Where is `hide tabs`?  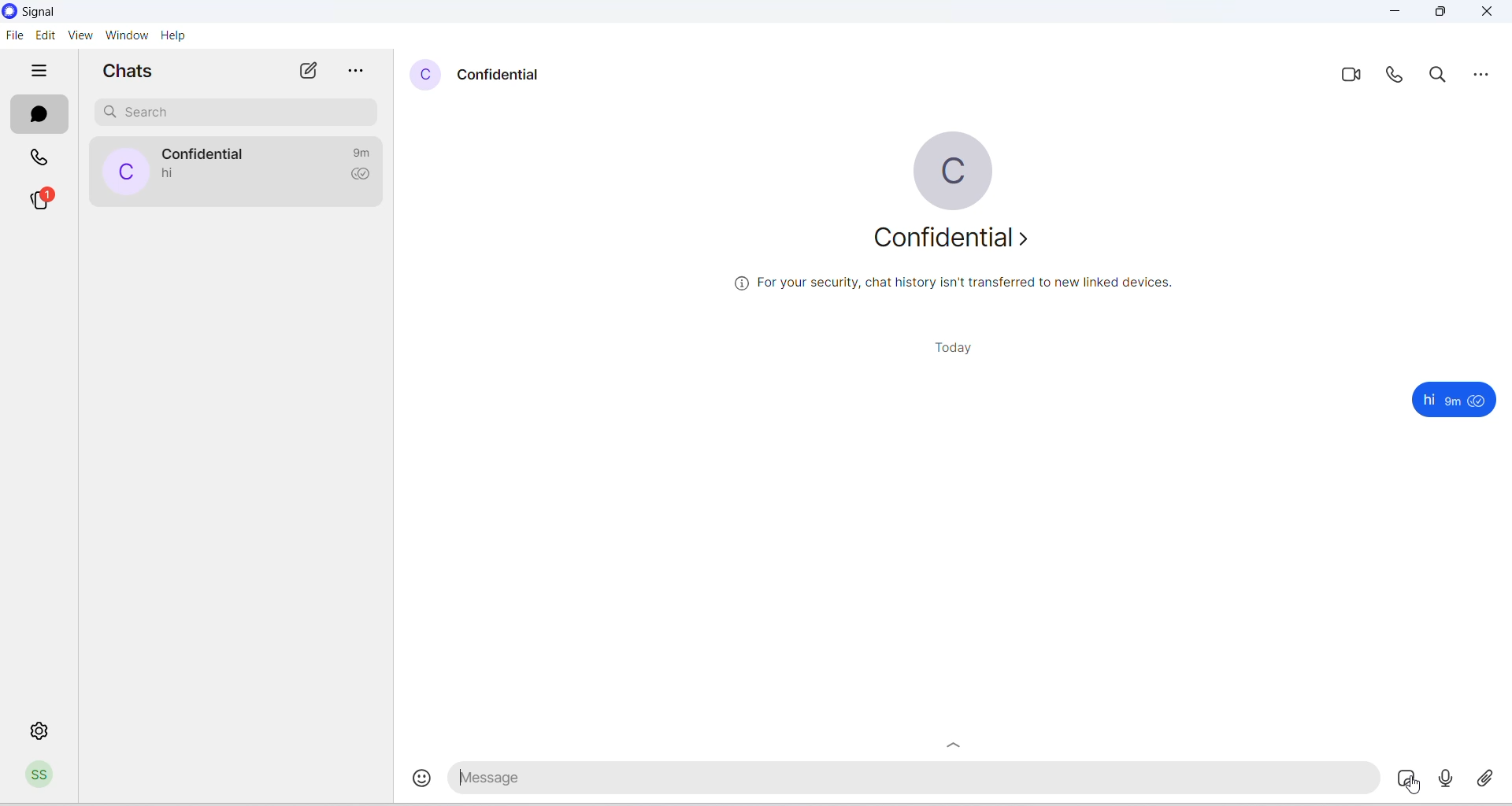 hide tabs is located at coordinates (40, 72).